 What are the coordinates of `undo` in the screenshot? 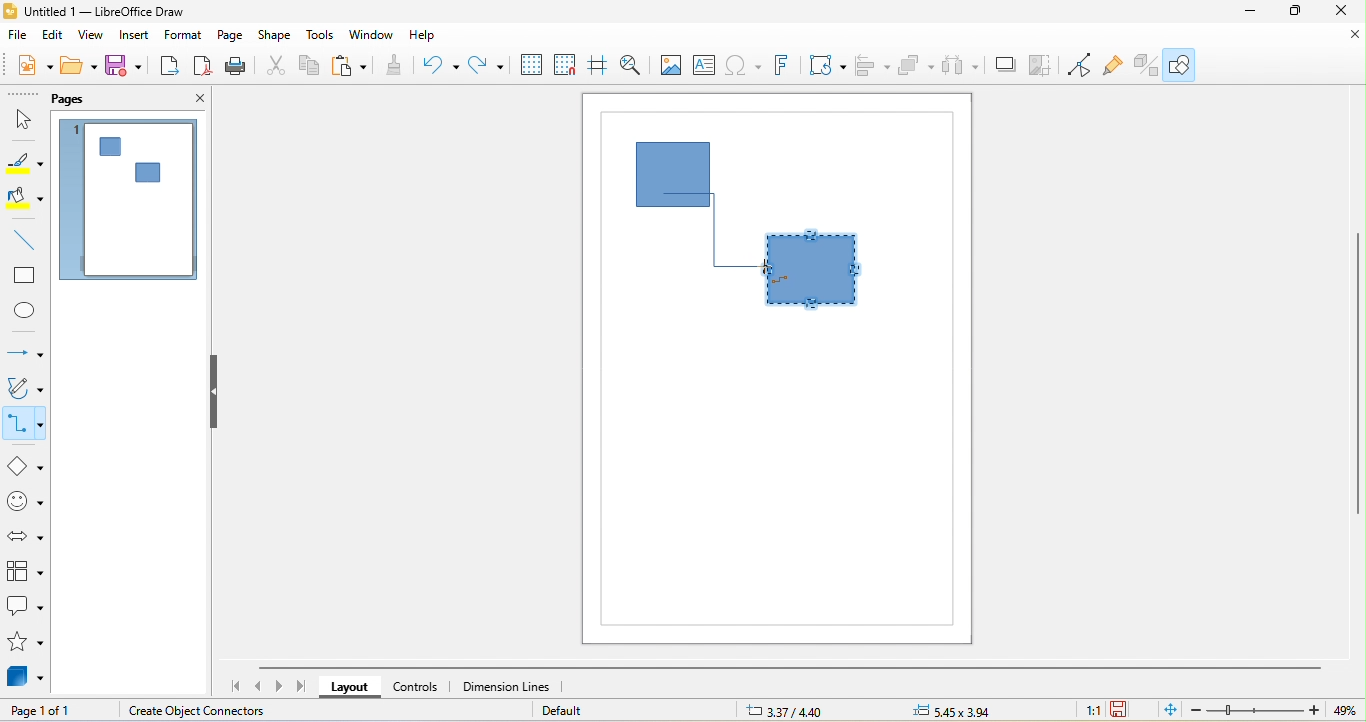 It's located at (443, 67).